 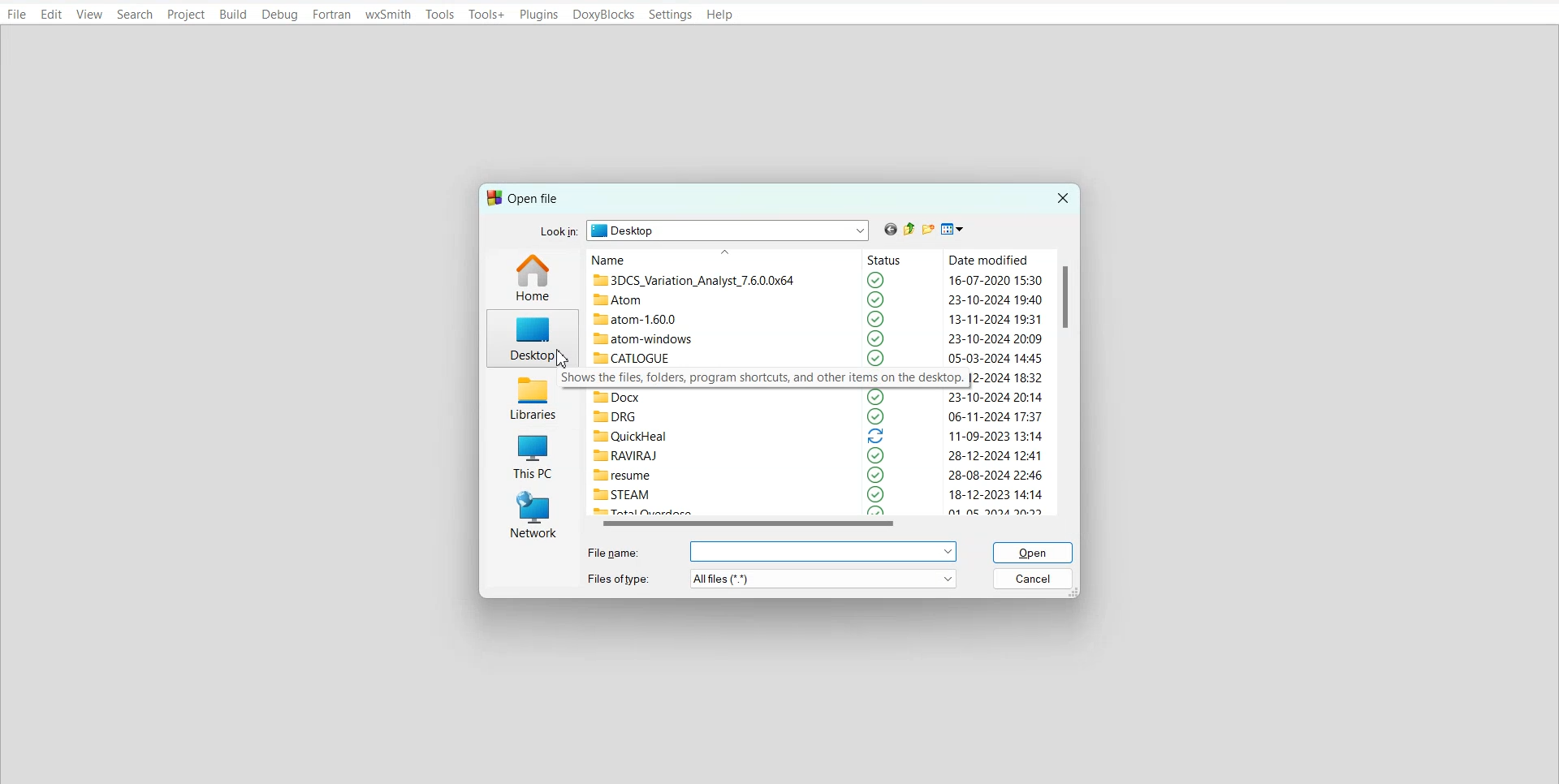 What do you see at coordinates (625, 497) in the screenshot?
I see `STEAM` at bounding box center [625, 497].